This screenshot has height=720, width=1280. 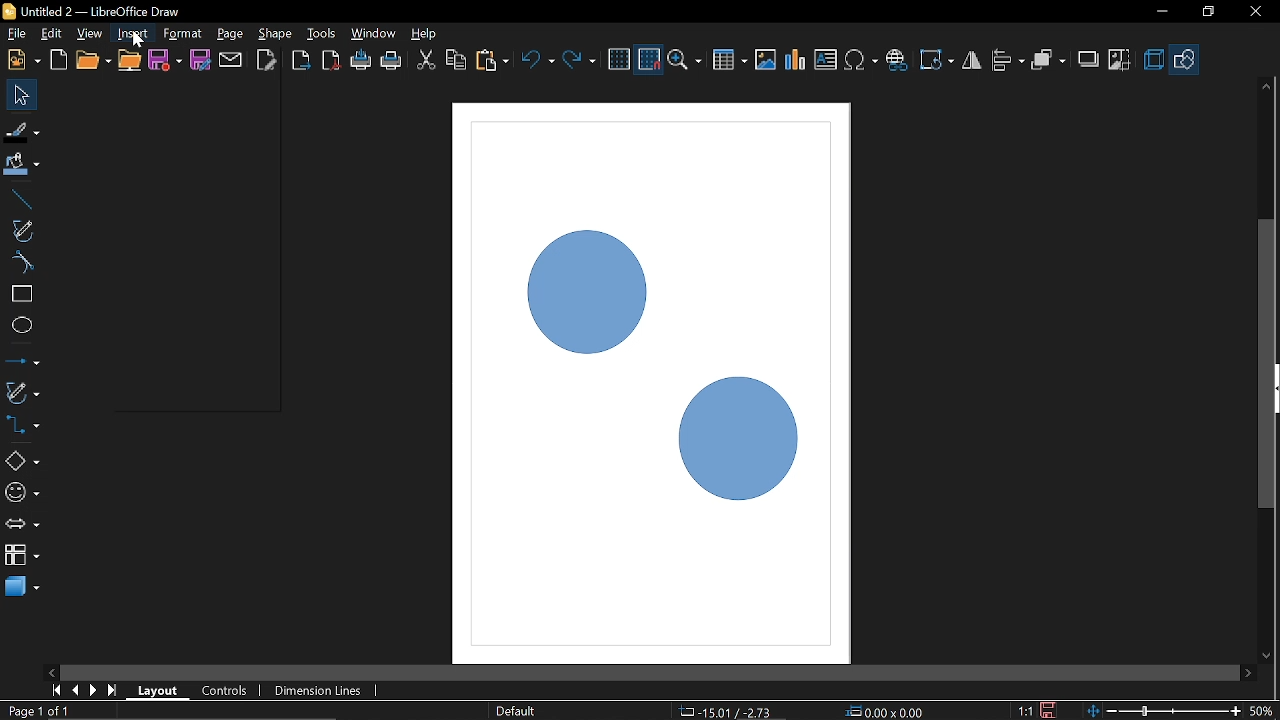 I want to click on Previous page, so click(x=77, y=690).